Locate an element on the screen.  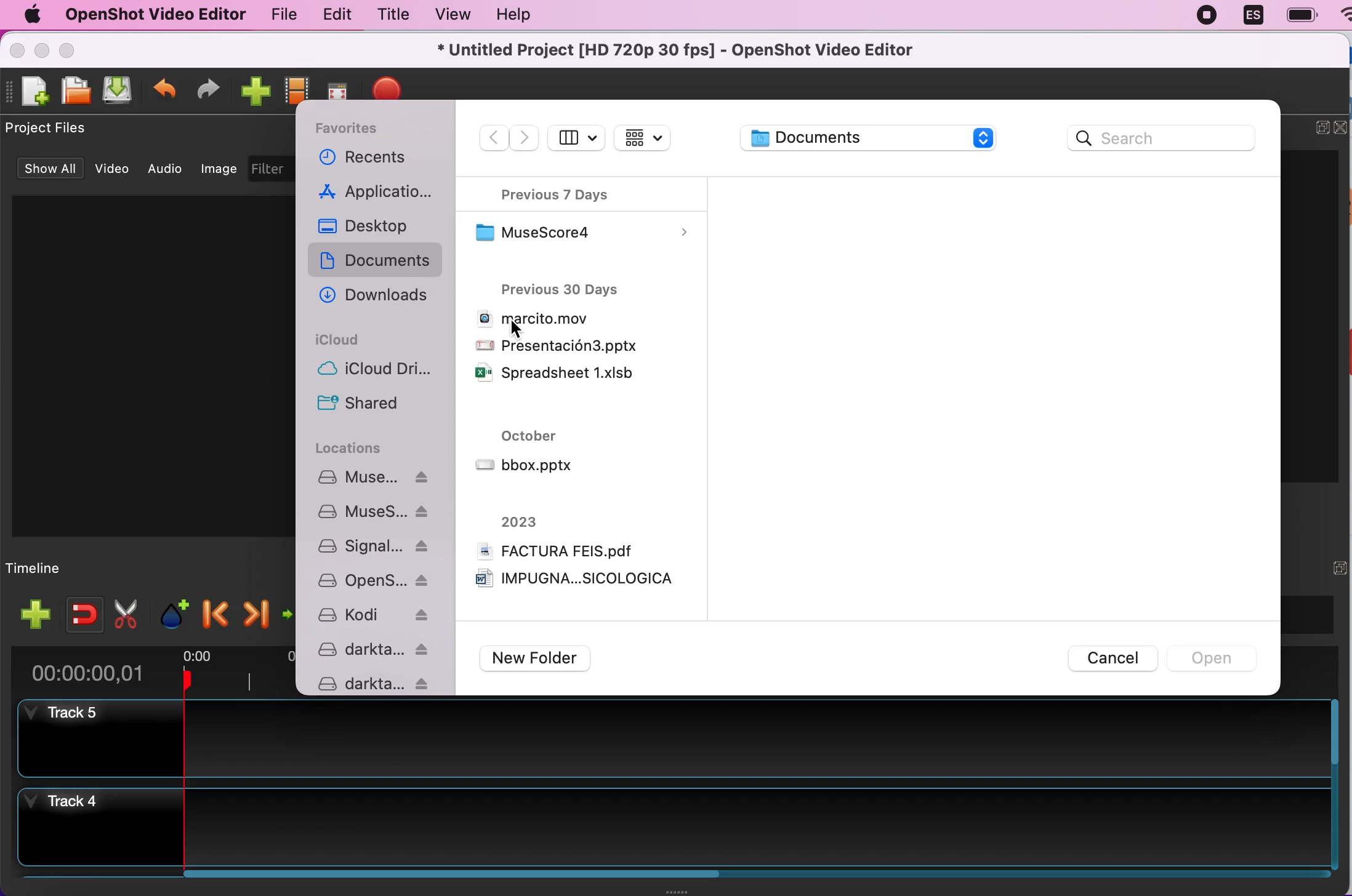
files is located at coordinates (584, 230).